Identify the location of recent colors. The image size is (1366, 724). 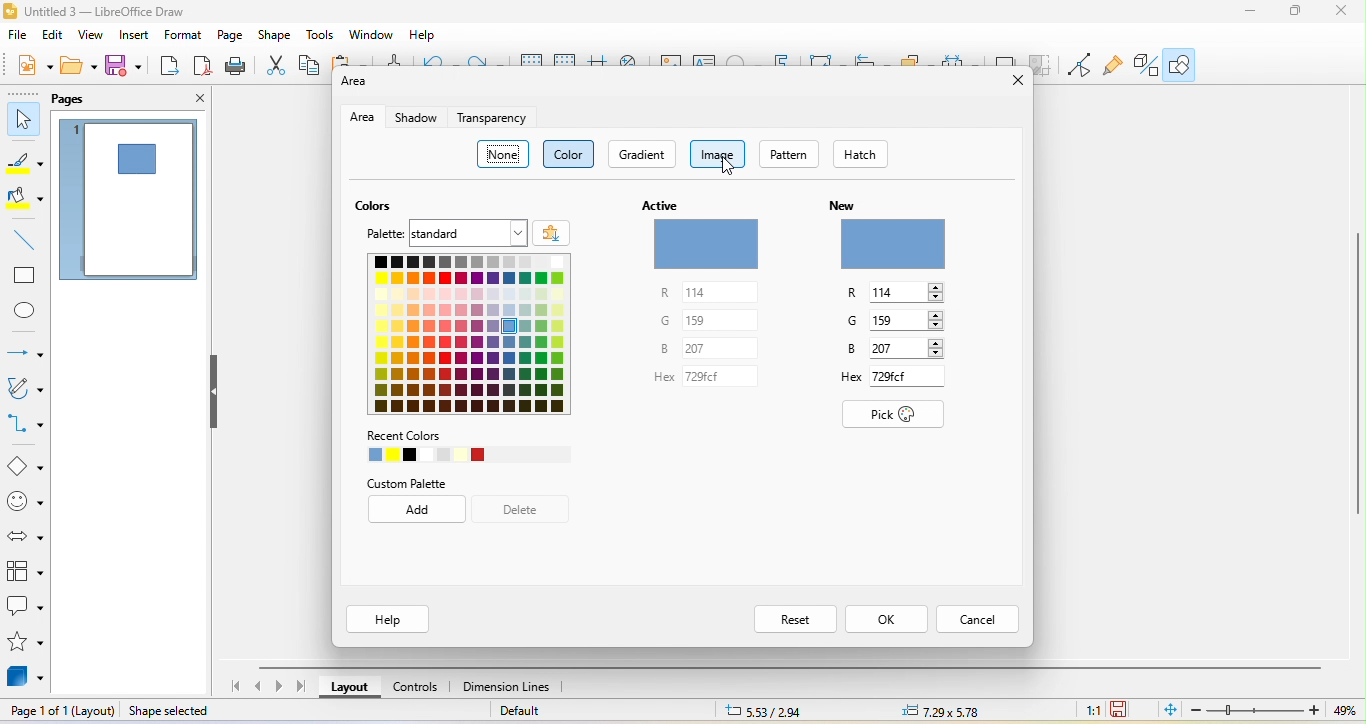
(465, 447).